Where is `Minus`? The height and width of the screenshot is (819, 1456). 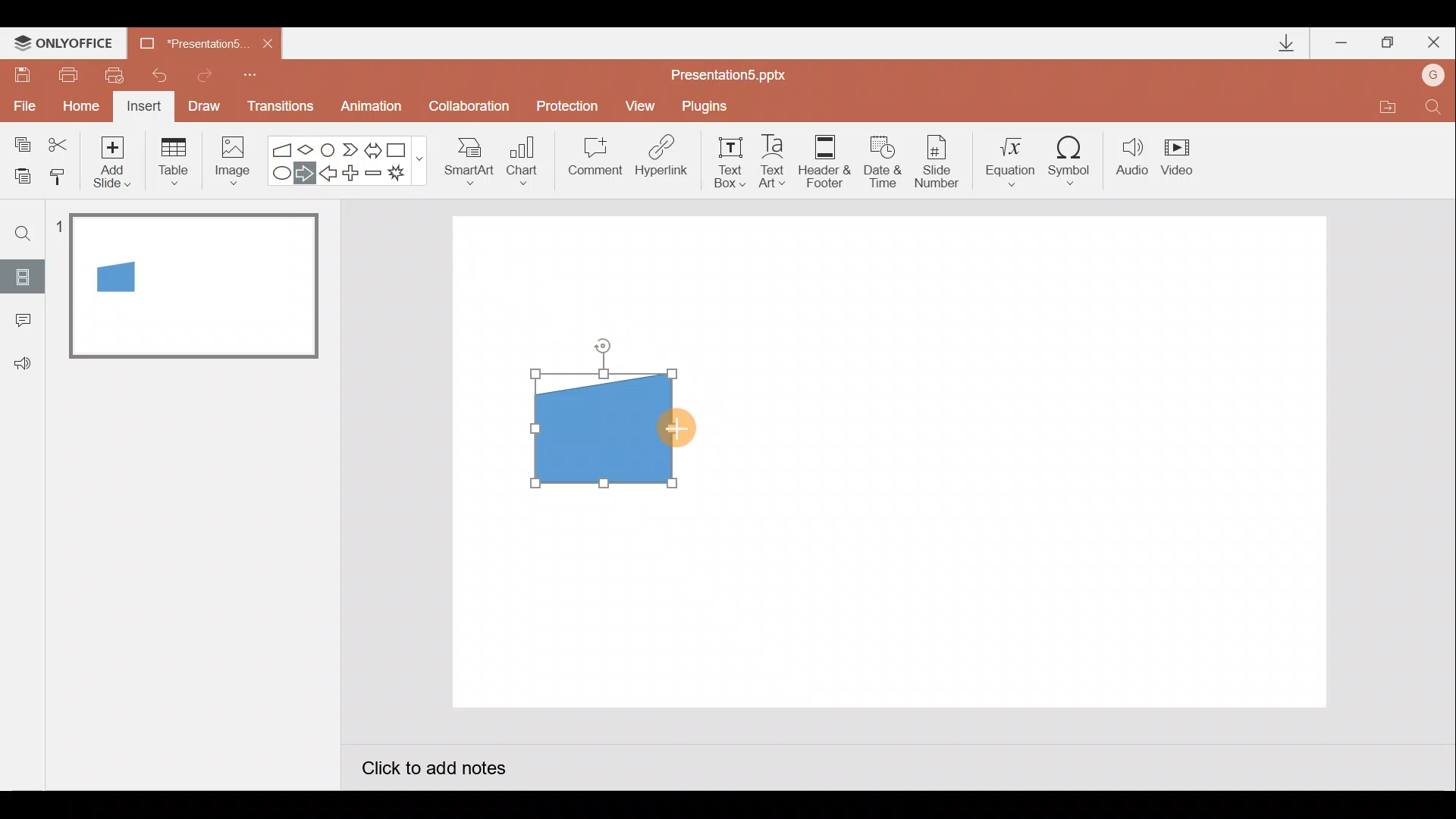
Minus is located at coordinates (375, 176).